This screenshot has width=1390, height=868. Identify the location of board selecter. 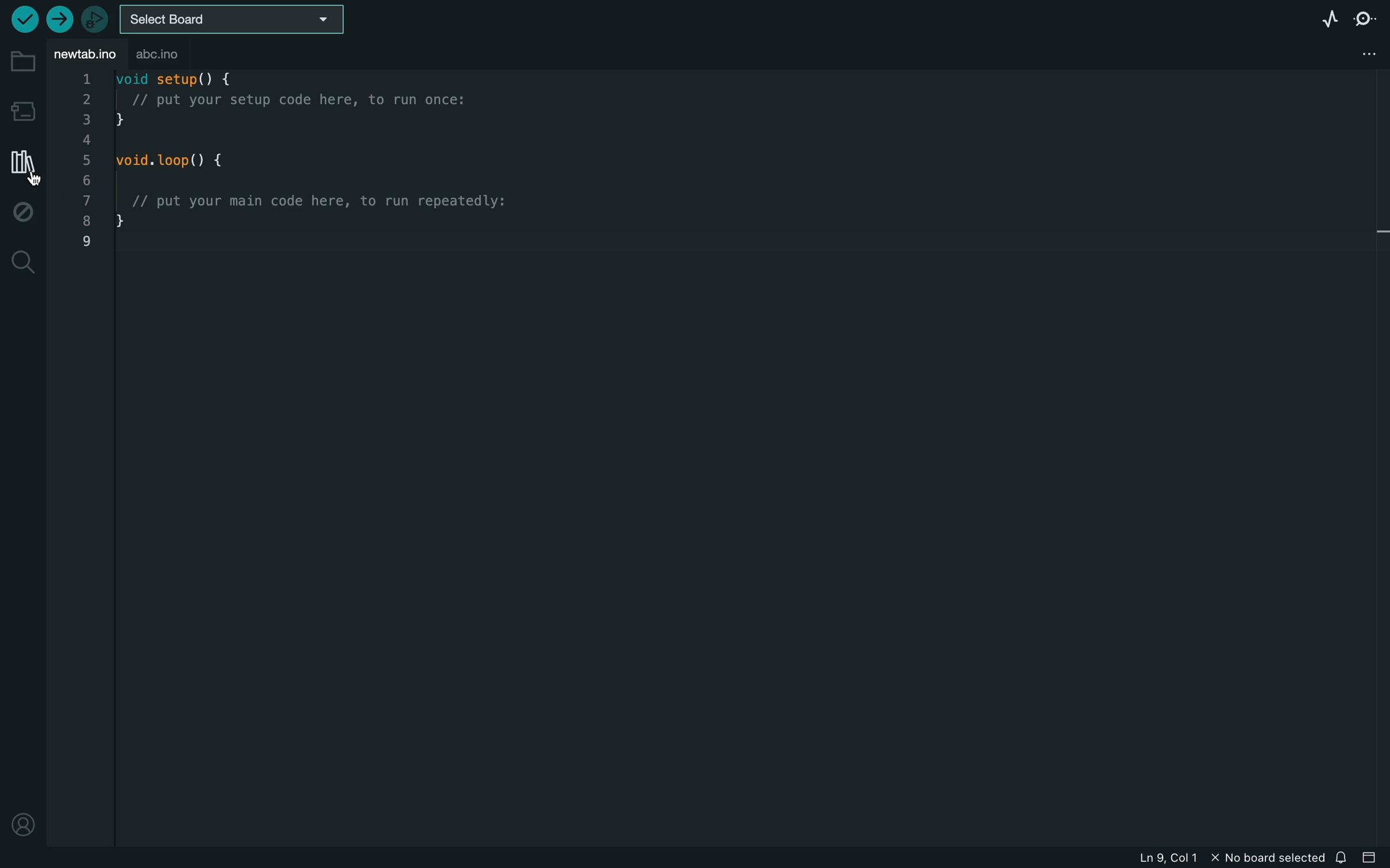
(231, 21).